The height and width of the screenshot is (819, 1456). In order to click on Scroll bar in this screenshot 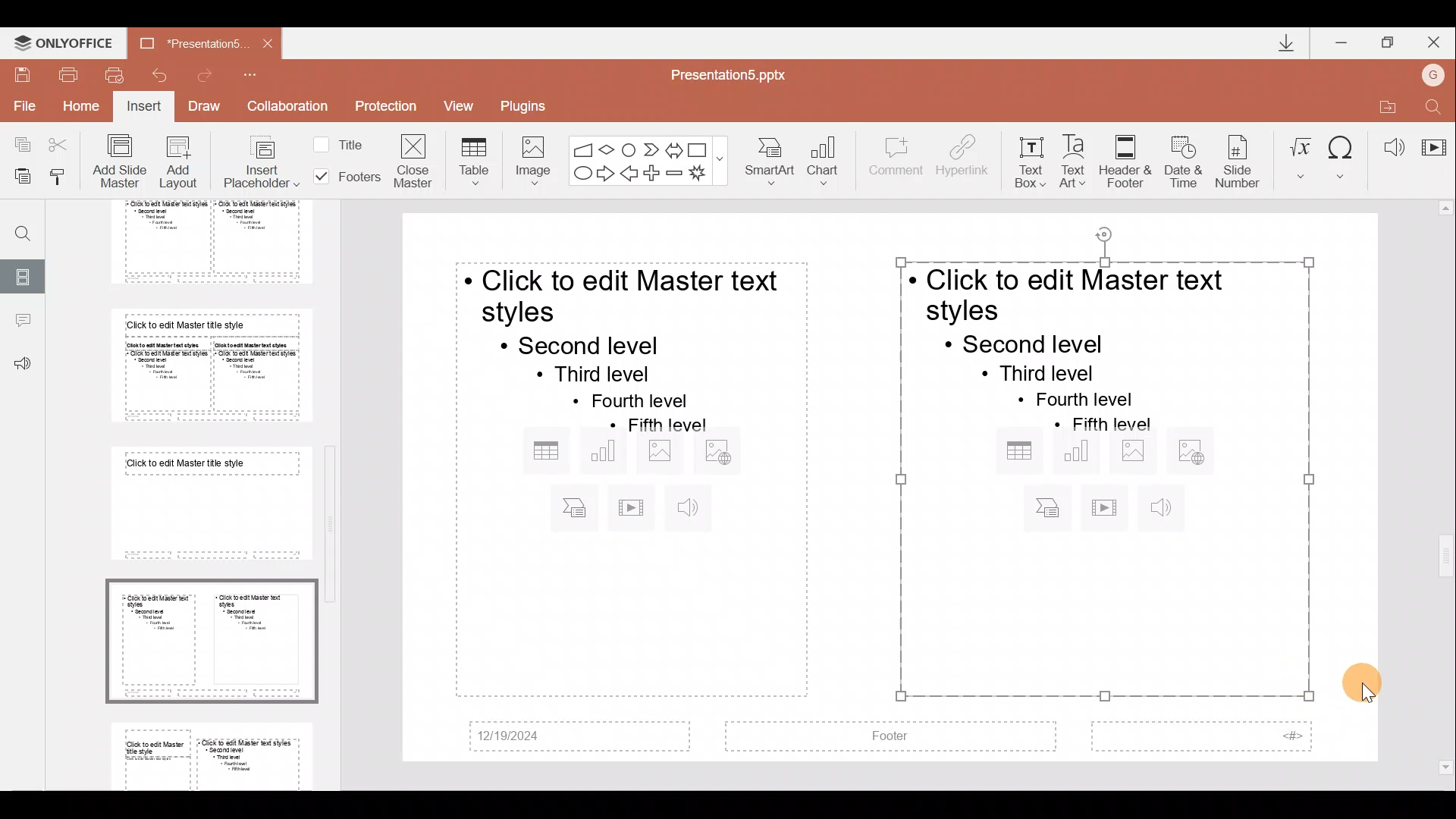, I will do `click(1446, 488)`.